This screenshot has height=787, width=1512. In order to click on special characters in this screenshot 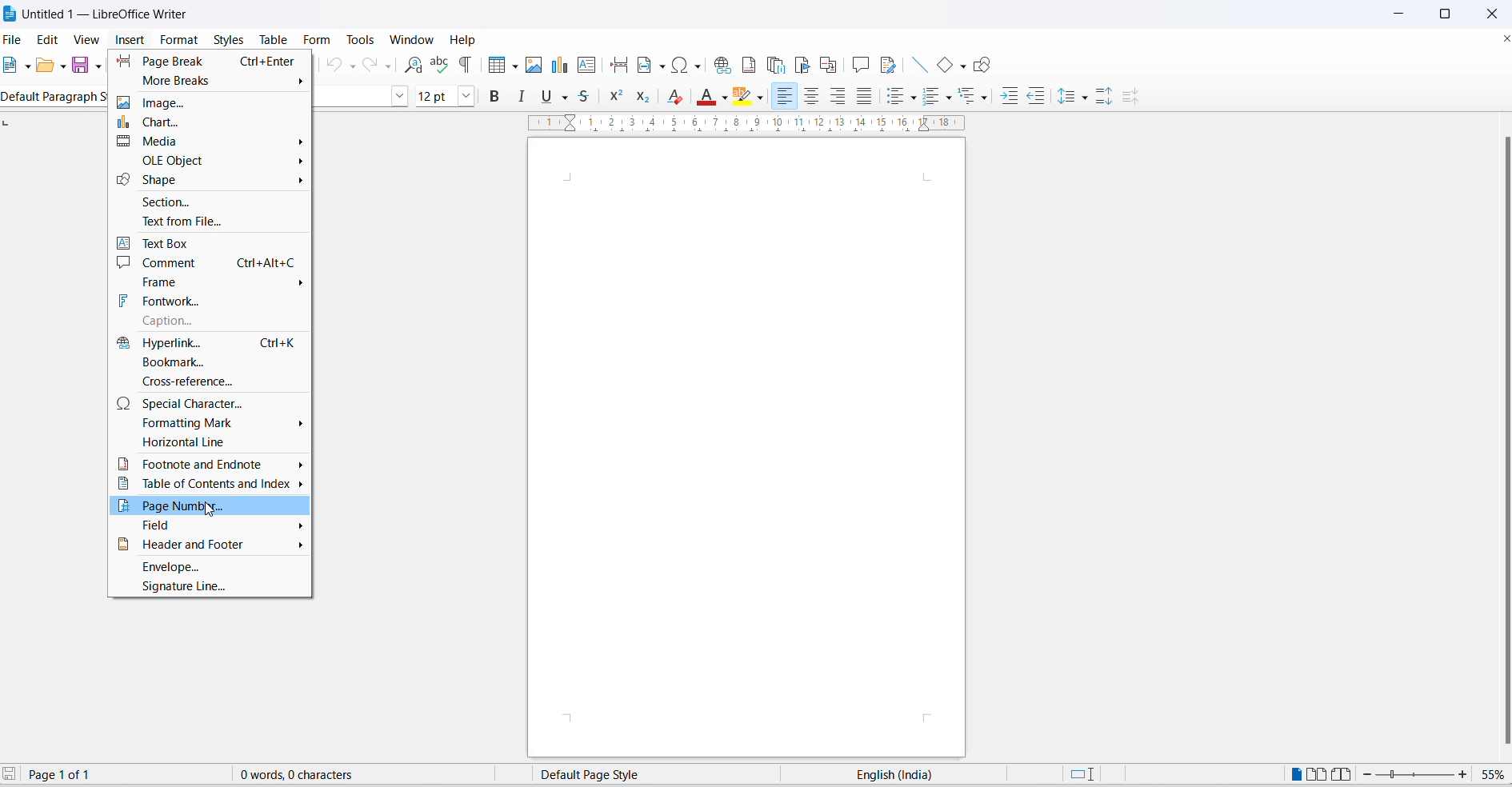, I will do `click(689, 66)`.